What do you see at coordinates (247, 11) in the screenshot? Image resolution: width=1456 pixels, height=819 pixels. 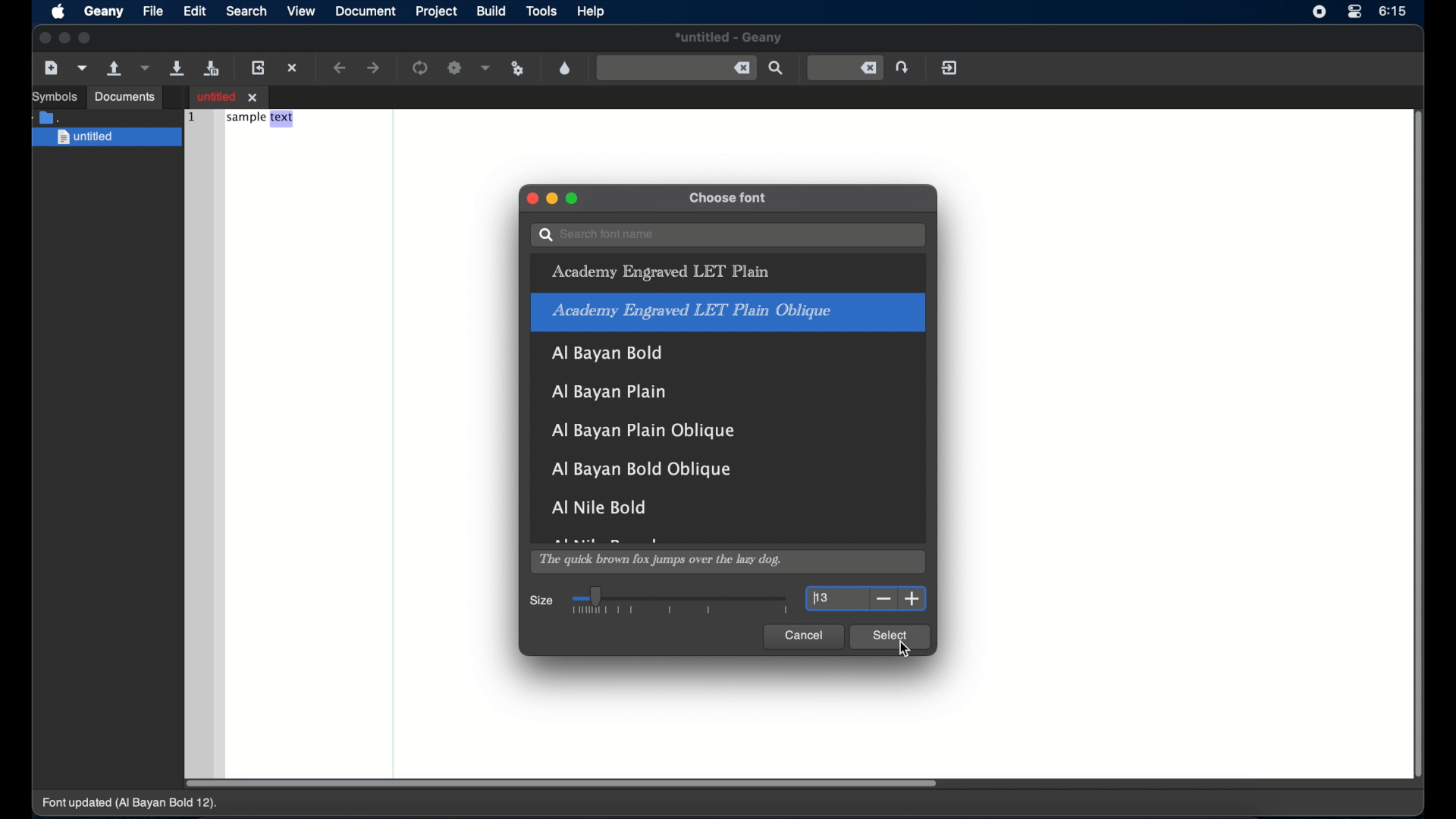 I see `search` at bounding box center [247, 11].